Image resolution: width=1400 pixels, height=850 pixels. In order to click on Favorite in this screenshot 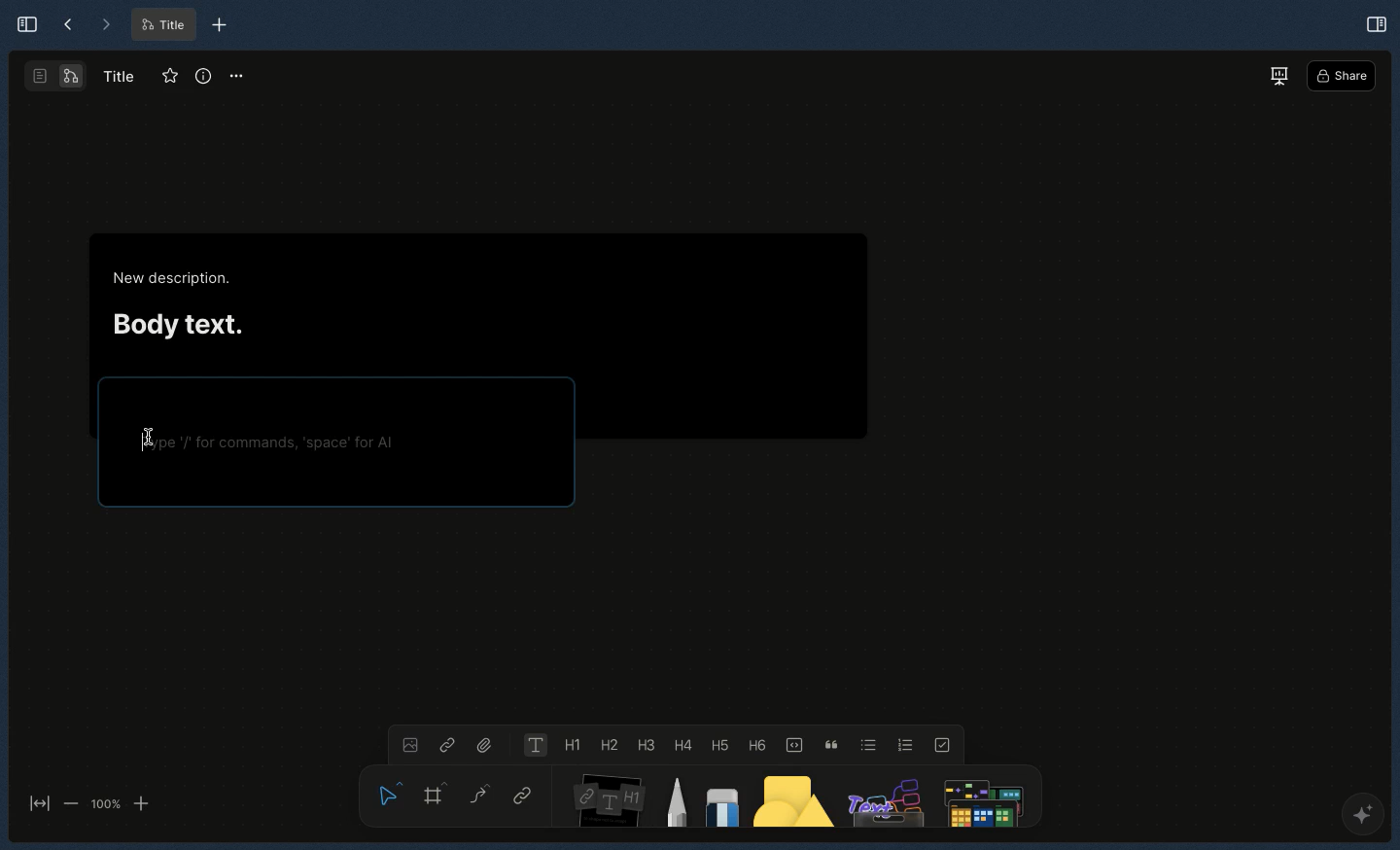, I will do `click(166, 77)`.